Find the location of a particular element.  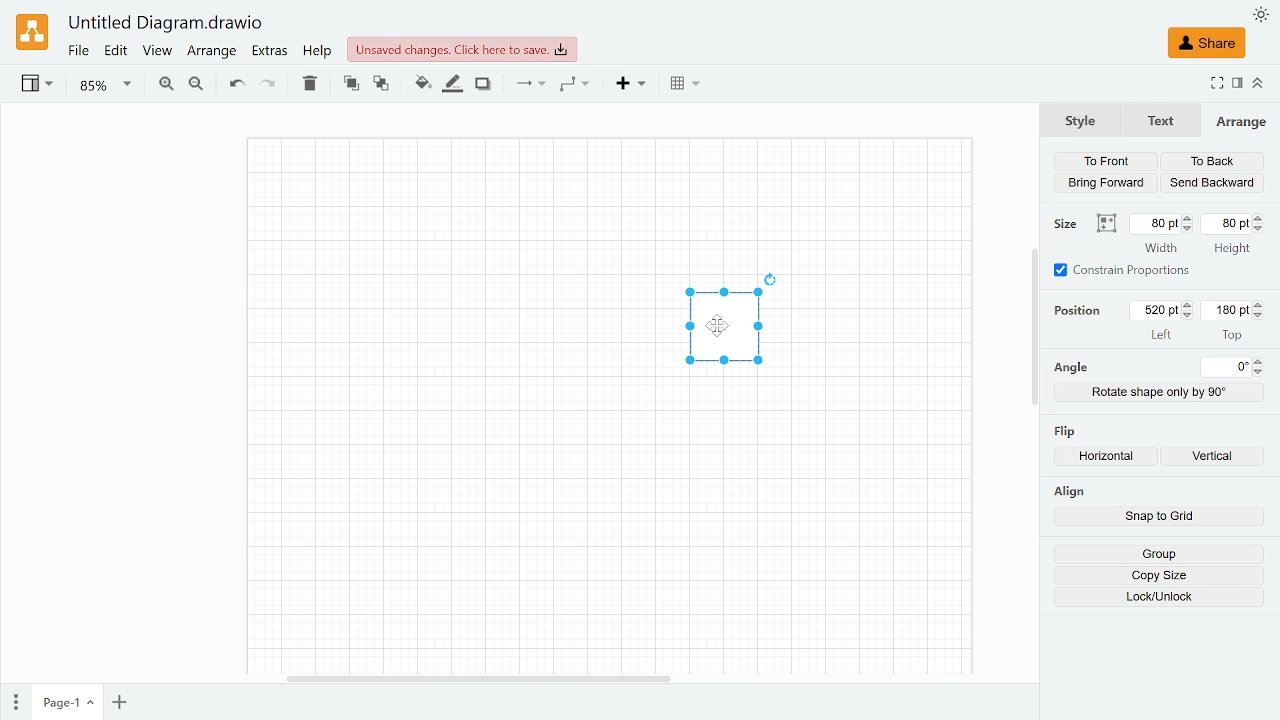

Zoom out is located at coordinates (196, 86).